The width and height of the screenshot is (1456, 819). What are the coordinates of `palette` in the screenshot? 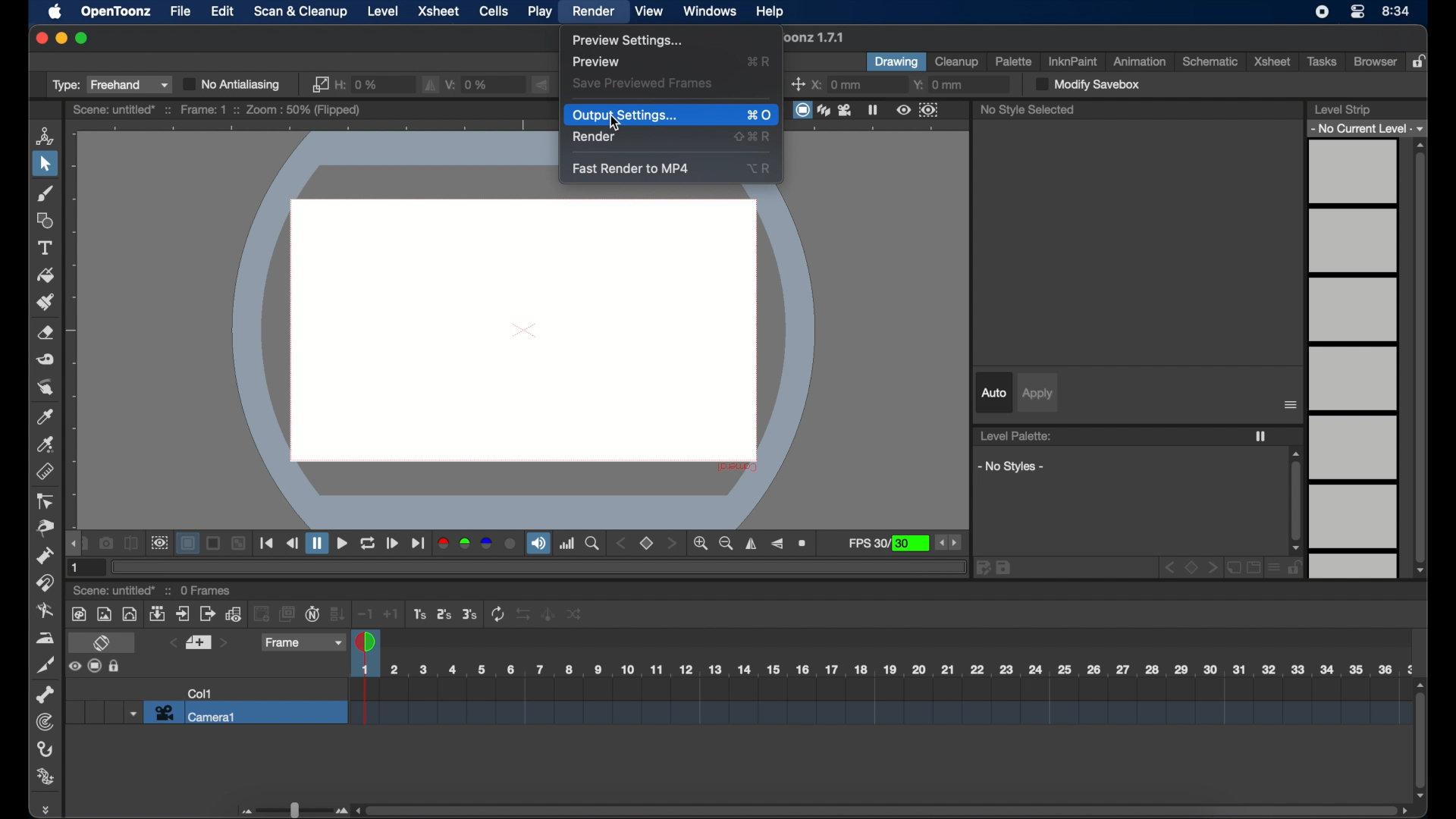 It's located at (1014, 61).